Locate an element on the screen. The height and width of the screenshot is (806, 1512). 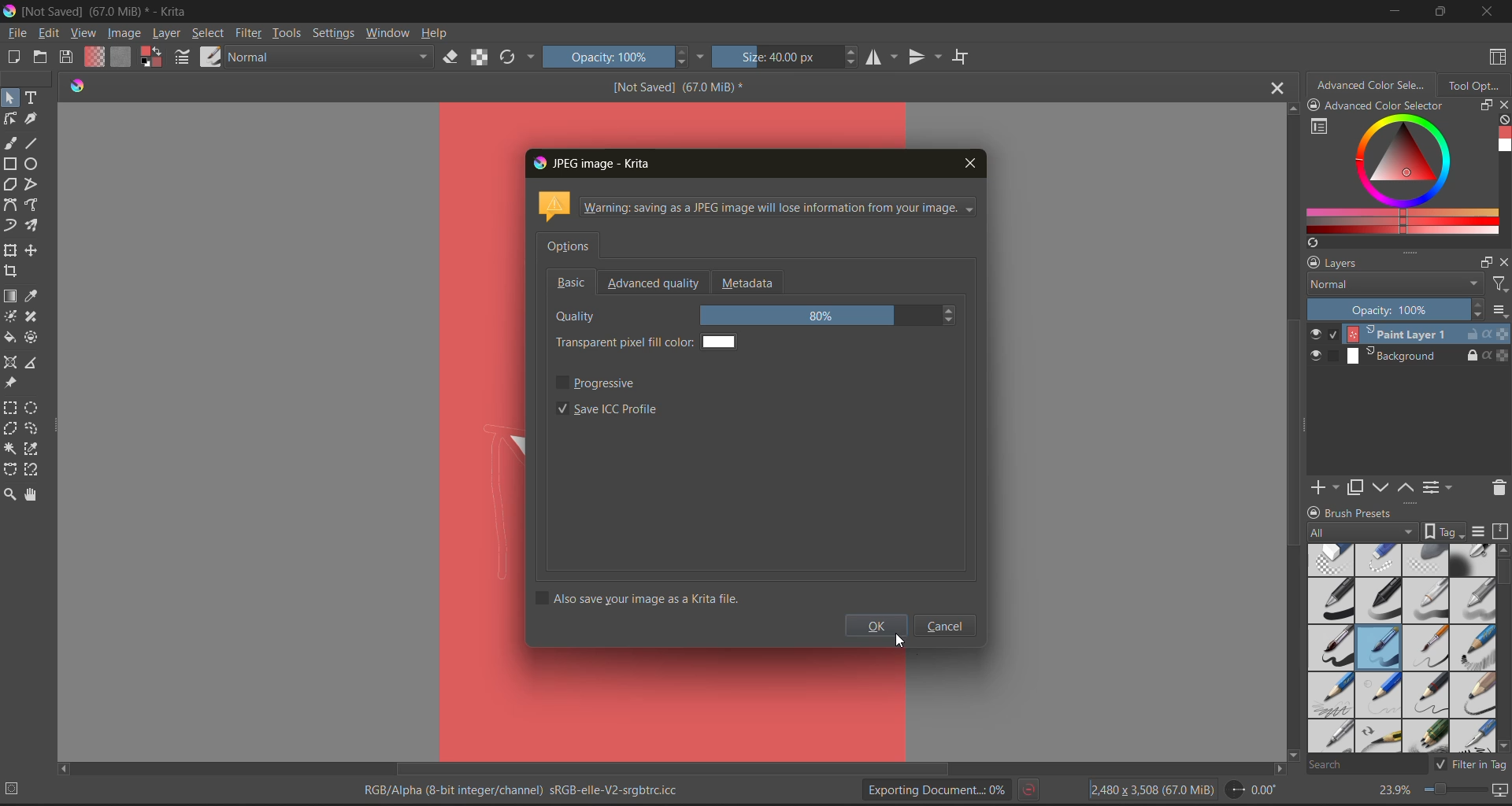
preserve alpha is located at coordinates (480, 57).